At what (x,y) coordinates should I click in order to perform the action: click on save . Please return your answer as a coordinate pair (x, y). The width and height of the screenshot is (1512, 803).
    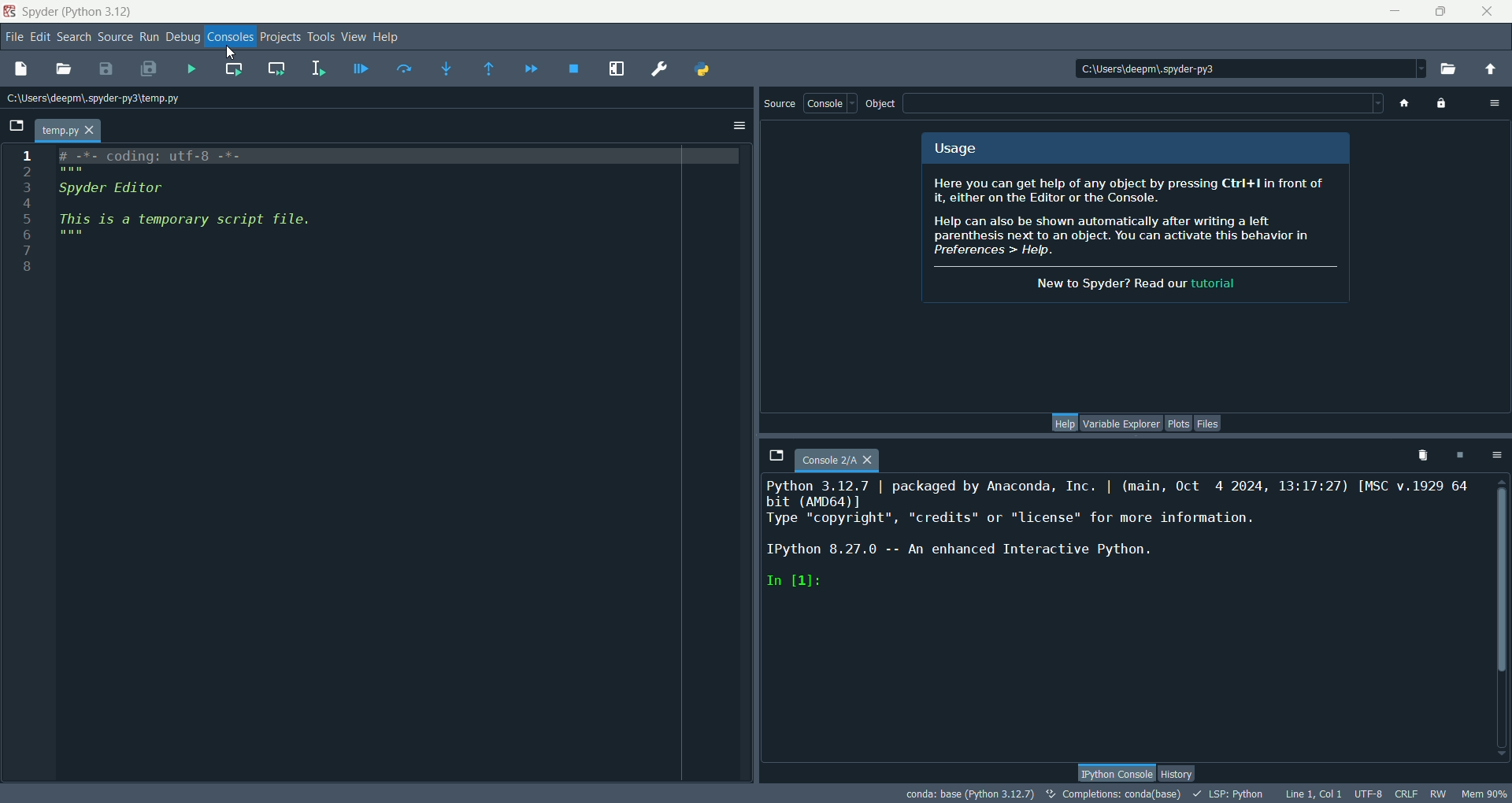
    Looking at the image, I should click on (106, 68).